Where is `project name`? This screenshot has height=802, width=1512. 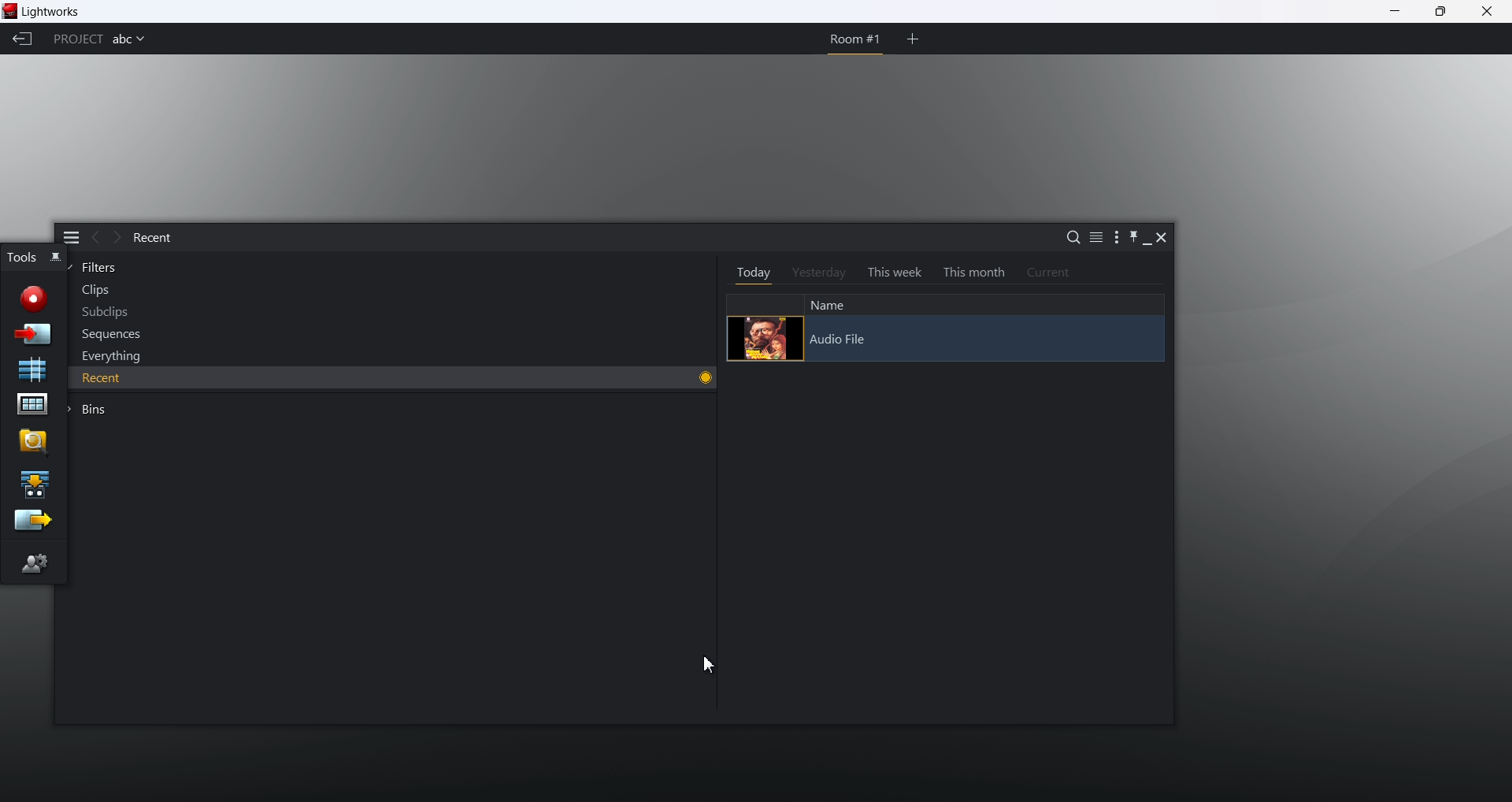
project name is located at coordinates (129, 41).